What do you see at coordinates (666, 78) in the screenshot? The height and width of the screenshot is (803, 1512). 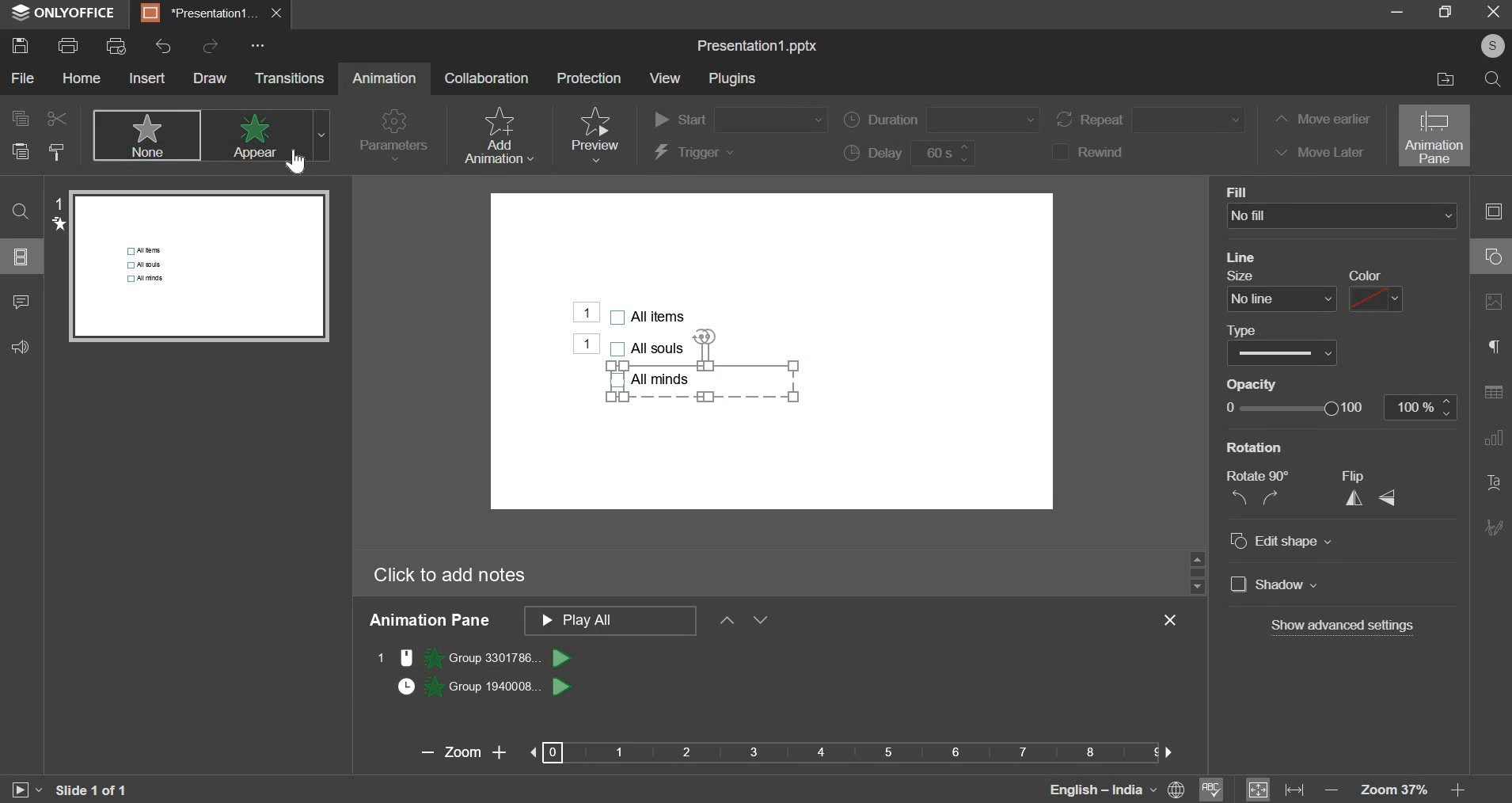 I see `view` at bounding box center [666, 78].